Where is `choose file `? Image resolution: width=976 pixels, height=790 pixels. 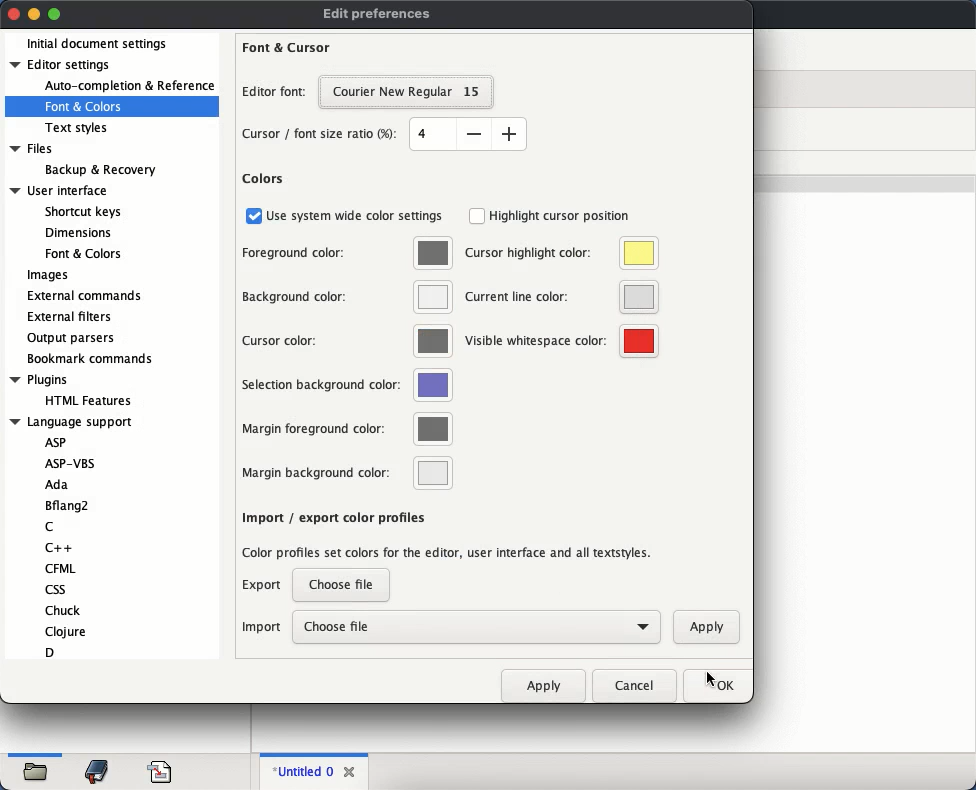
choose file  is located at coordinates (477, 628).